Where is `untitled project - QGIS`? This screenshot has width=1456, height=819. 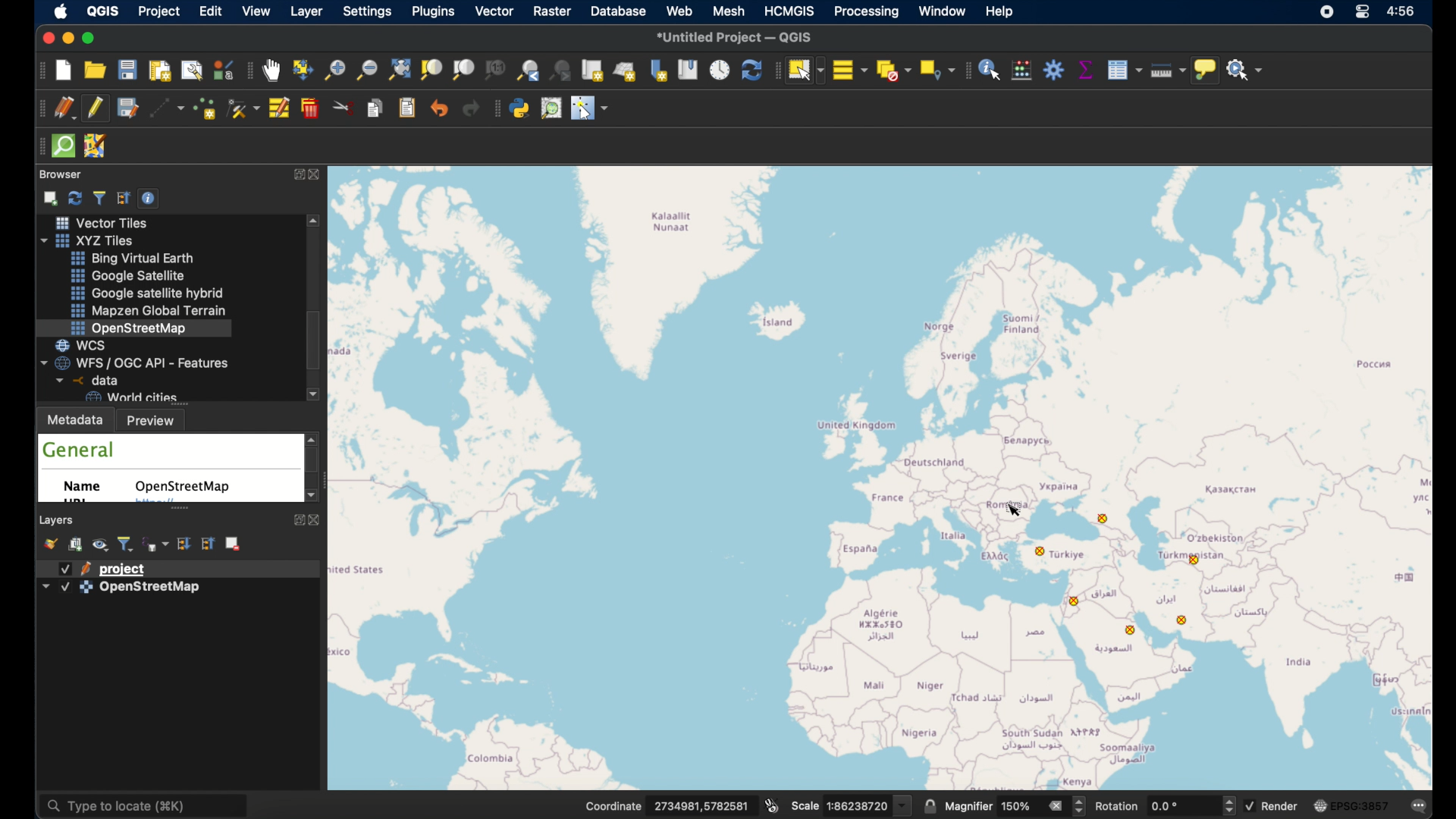
untitled project - QGIS is located at coordinates (735, 36).